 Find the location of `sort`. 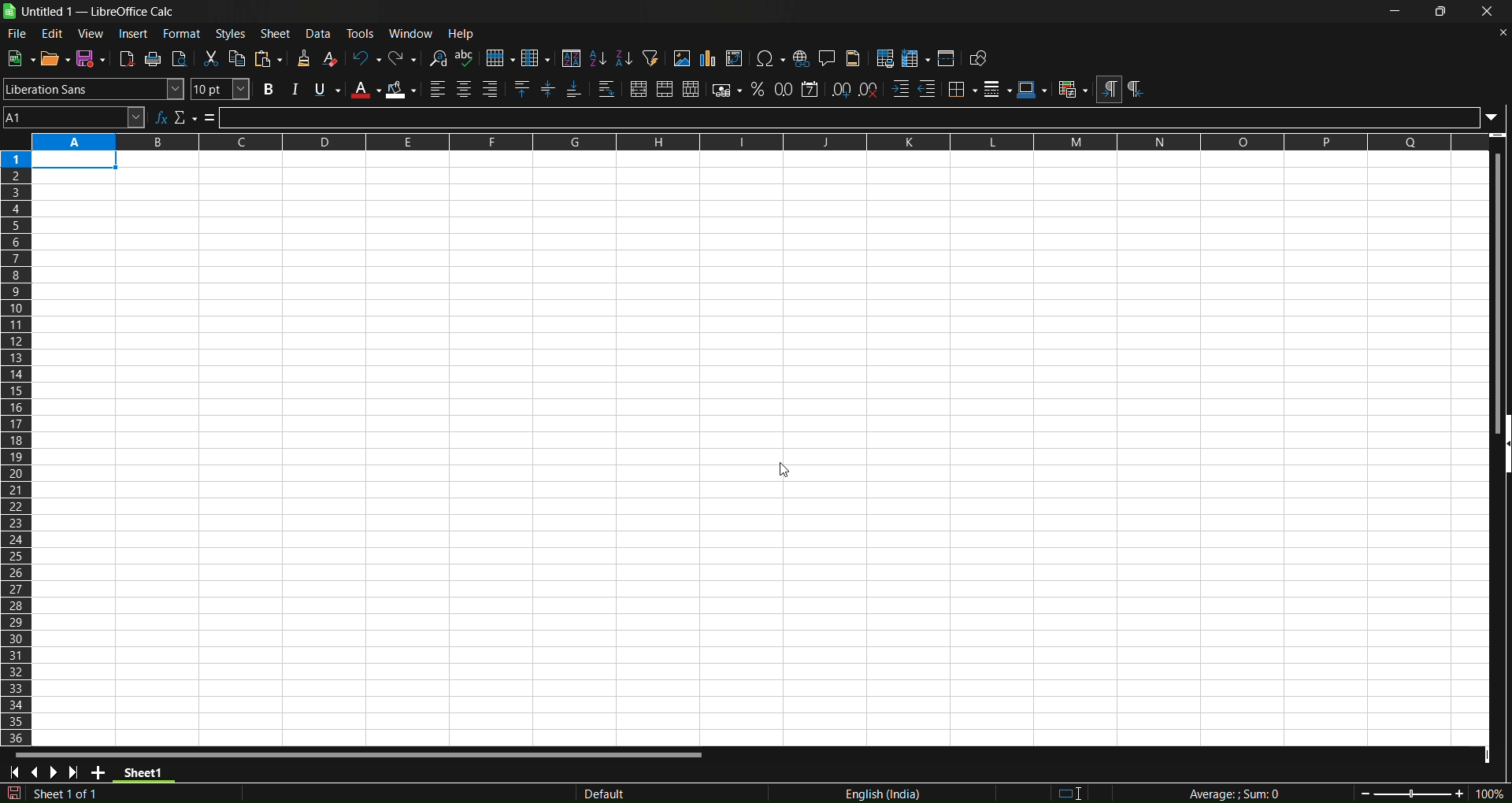

sort is located at coordinates (570, 57).